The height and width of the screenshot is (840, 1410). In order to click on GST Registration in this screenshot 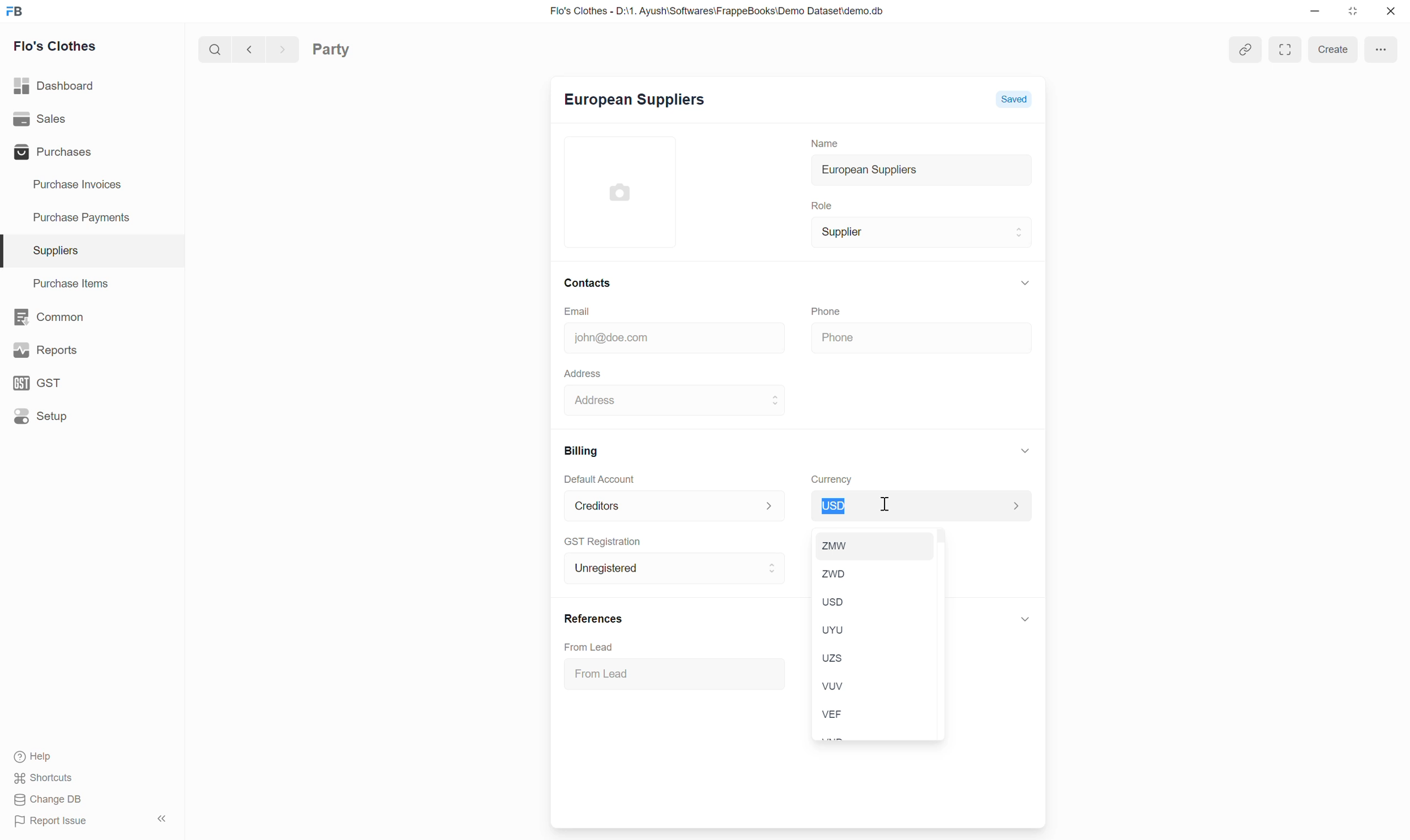, I will do `click(609, 541)`.